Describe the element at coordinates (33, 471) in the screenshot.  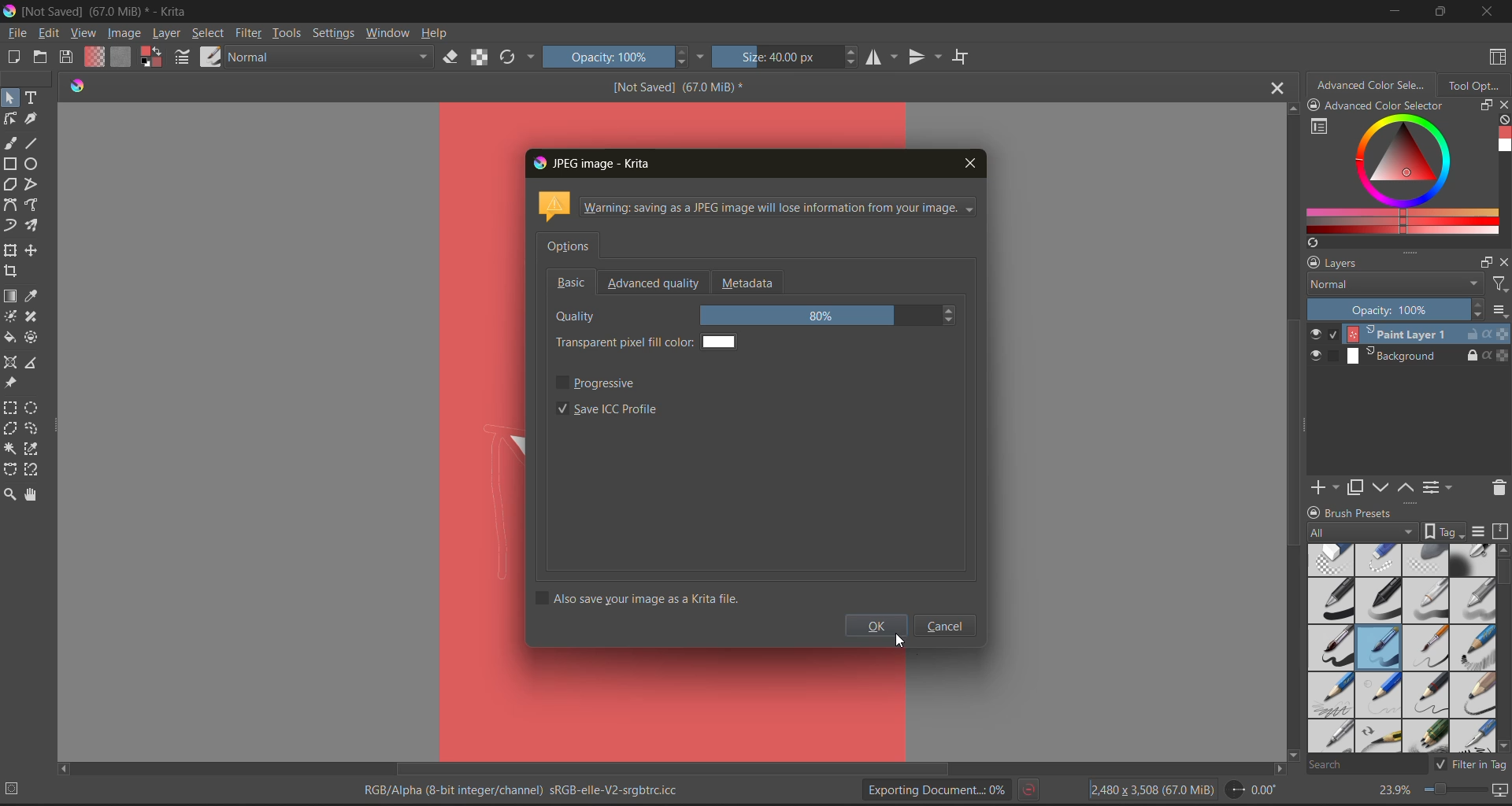
I see `tools` at that location.